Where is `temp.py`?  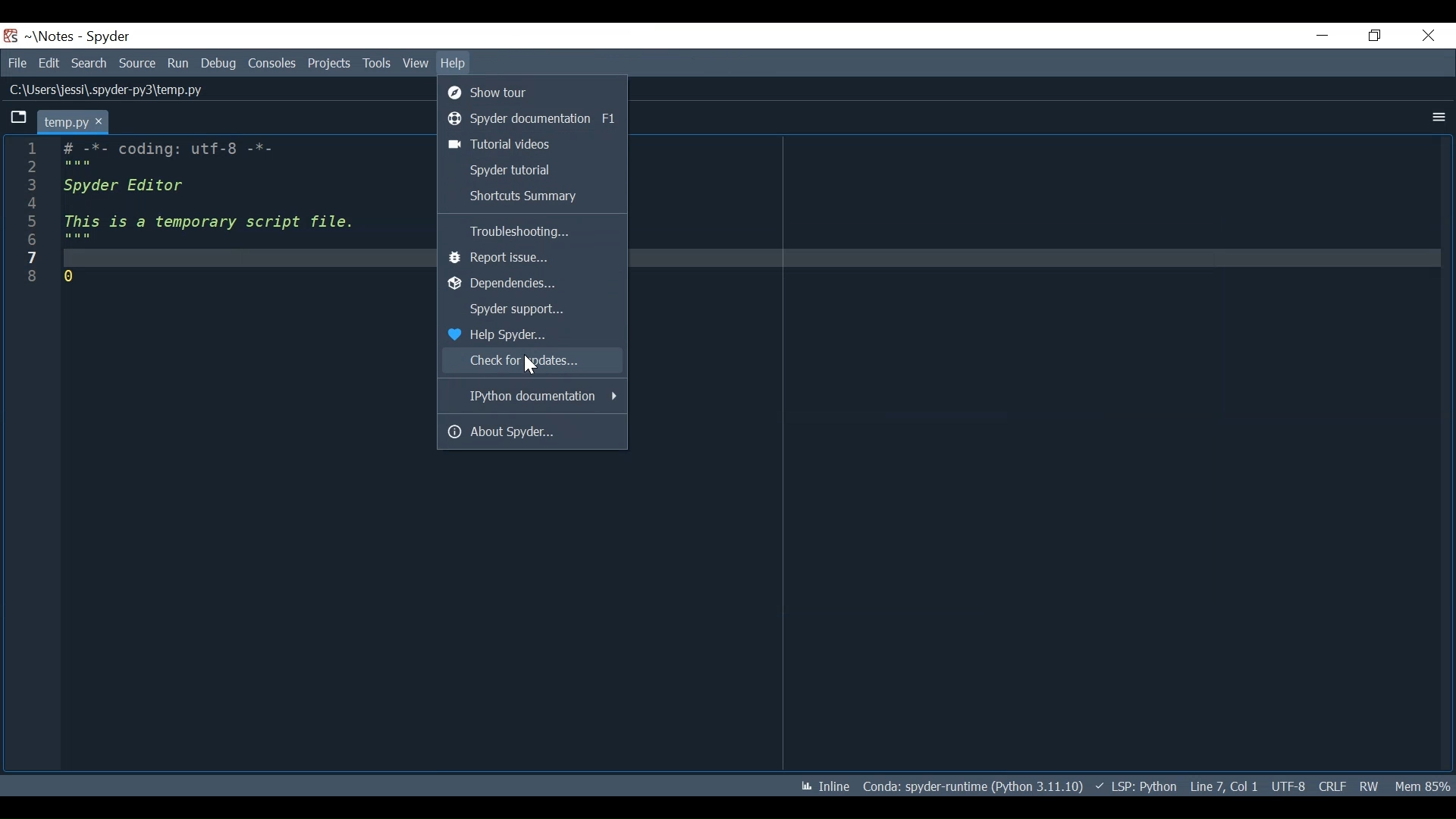
temp.py is located at coordinates (73, 121).